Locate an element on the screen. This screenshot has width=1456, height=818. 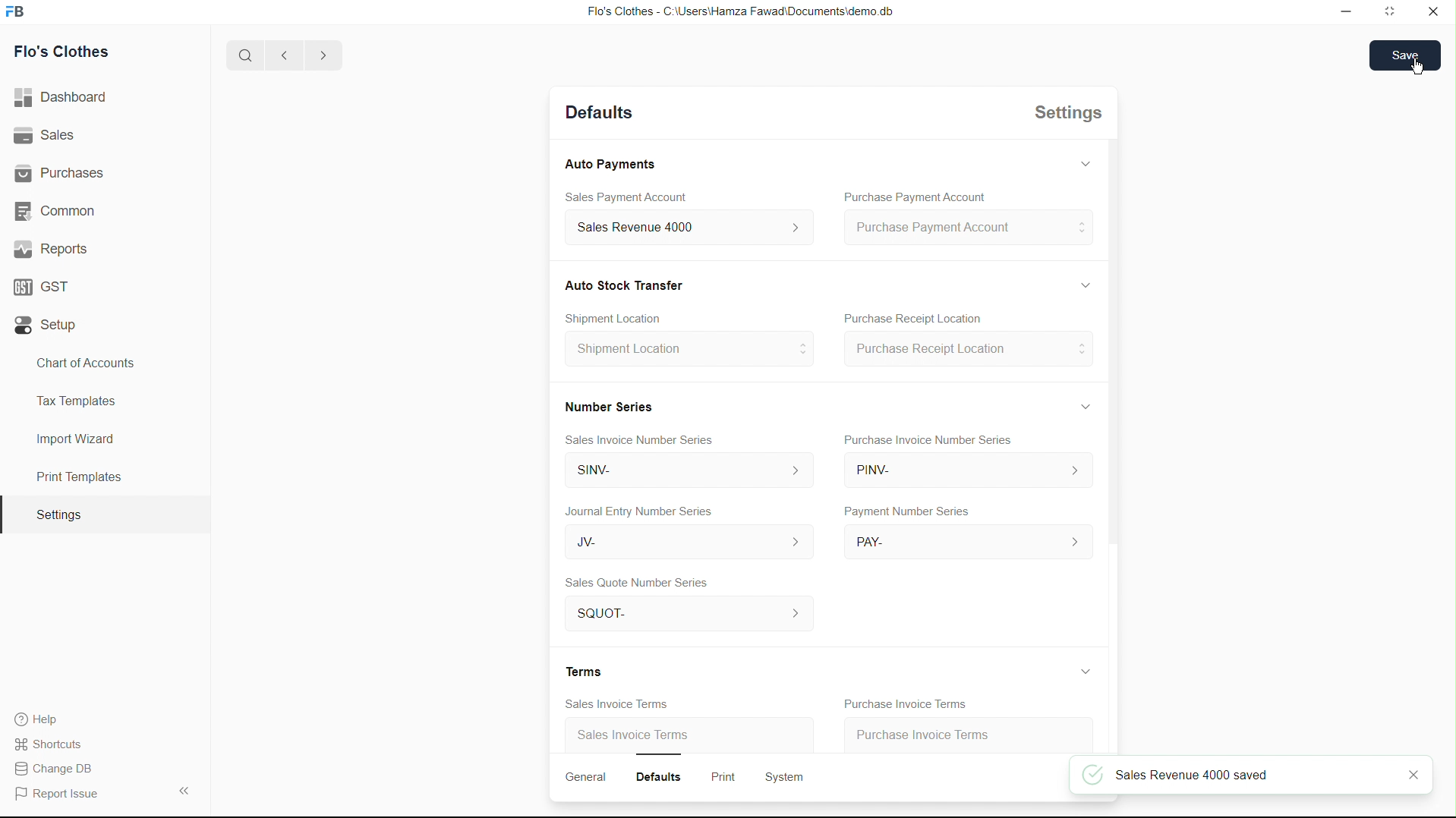
Purchase Invoice Terms is located at coordinates (911, 703).